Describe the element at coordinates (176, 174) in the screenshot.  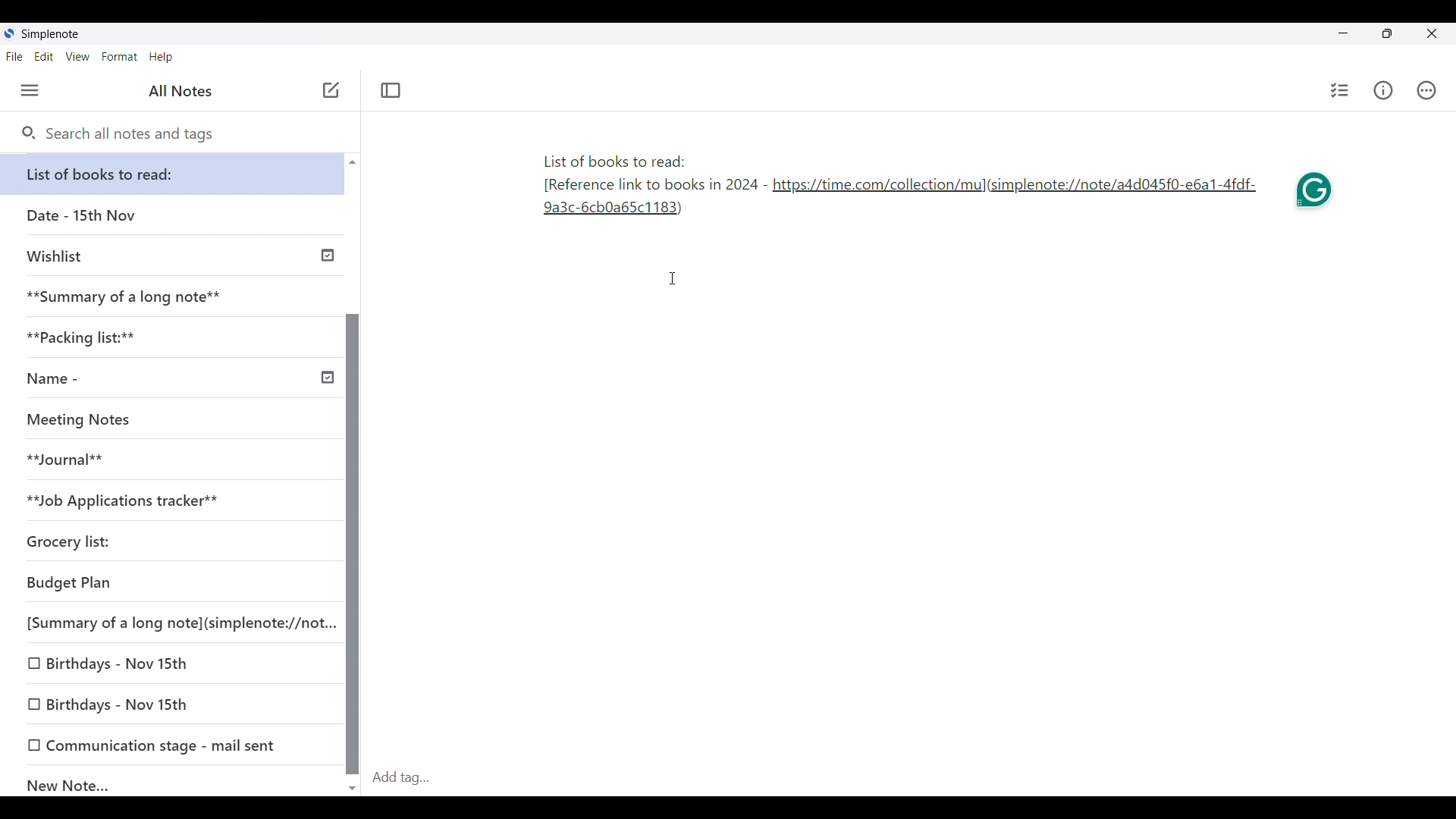
I see `List of books to read:` at that location.